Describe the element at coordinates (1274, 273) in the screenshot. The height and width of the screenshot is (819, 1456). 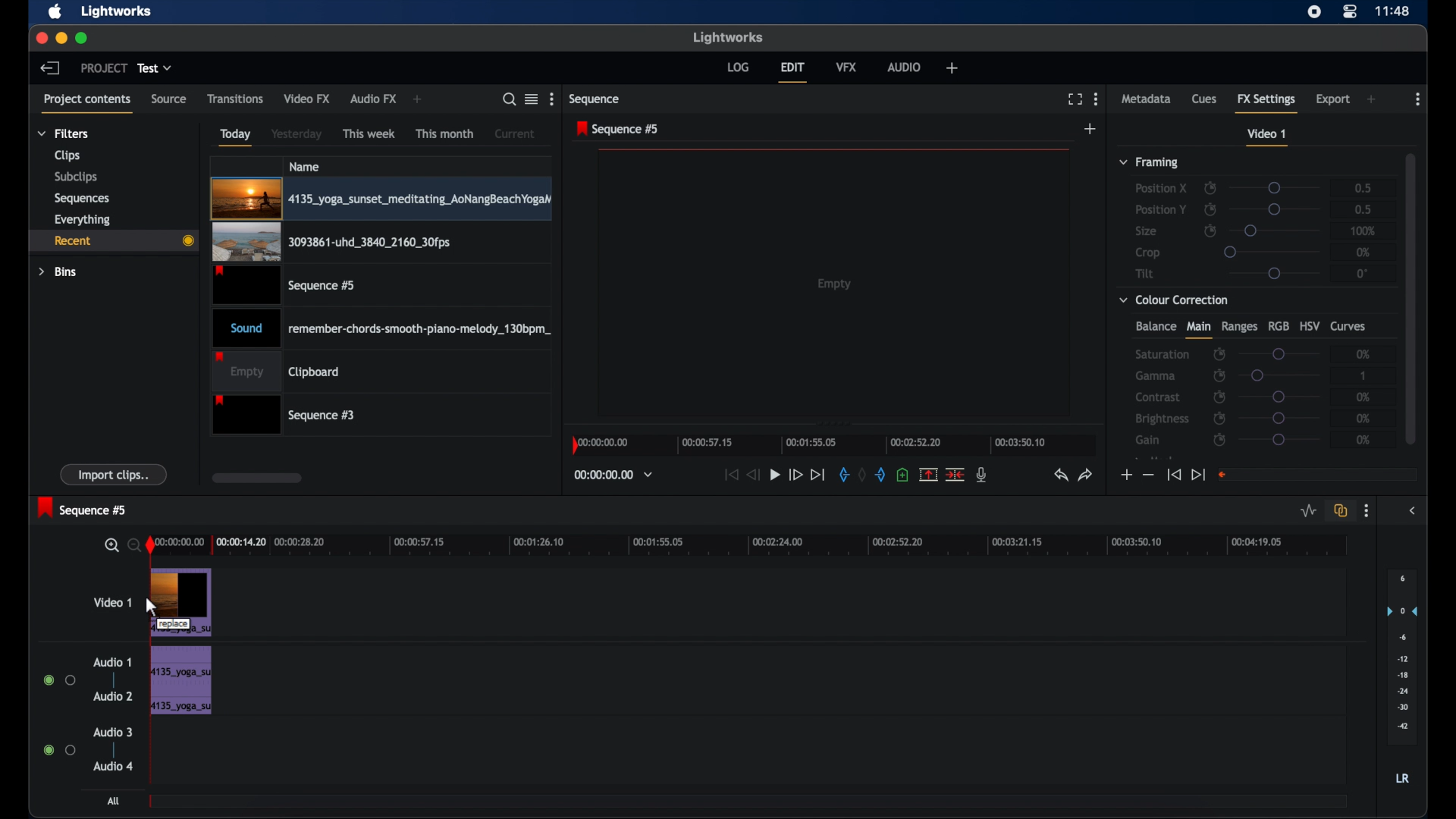
I see `slider` at that location.